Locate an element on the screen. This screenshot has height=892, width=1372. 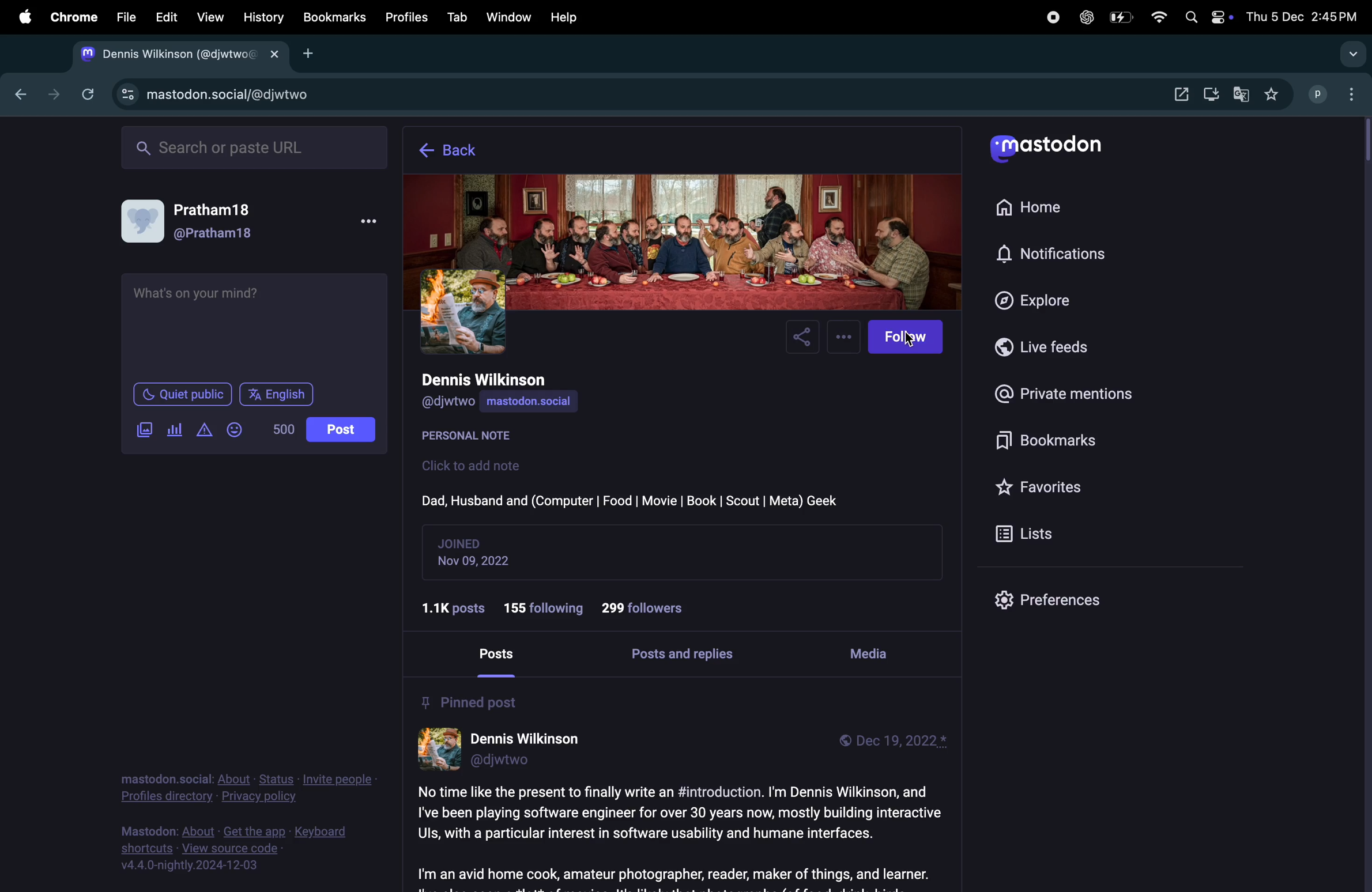
date and time is located at coordinates (1305, 18).